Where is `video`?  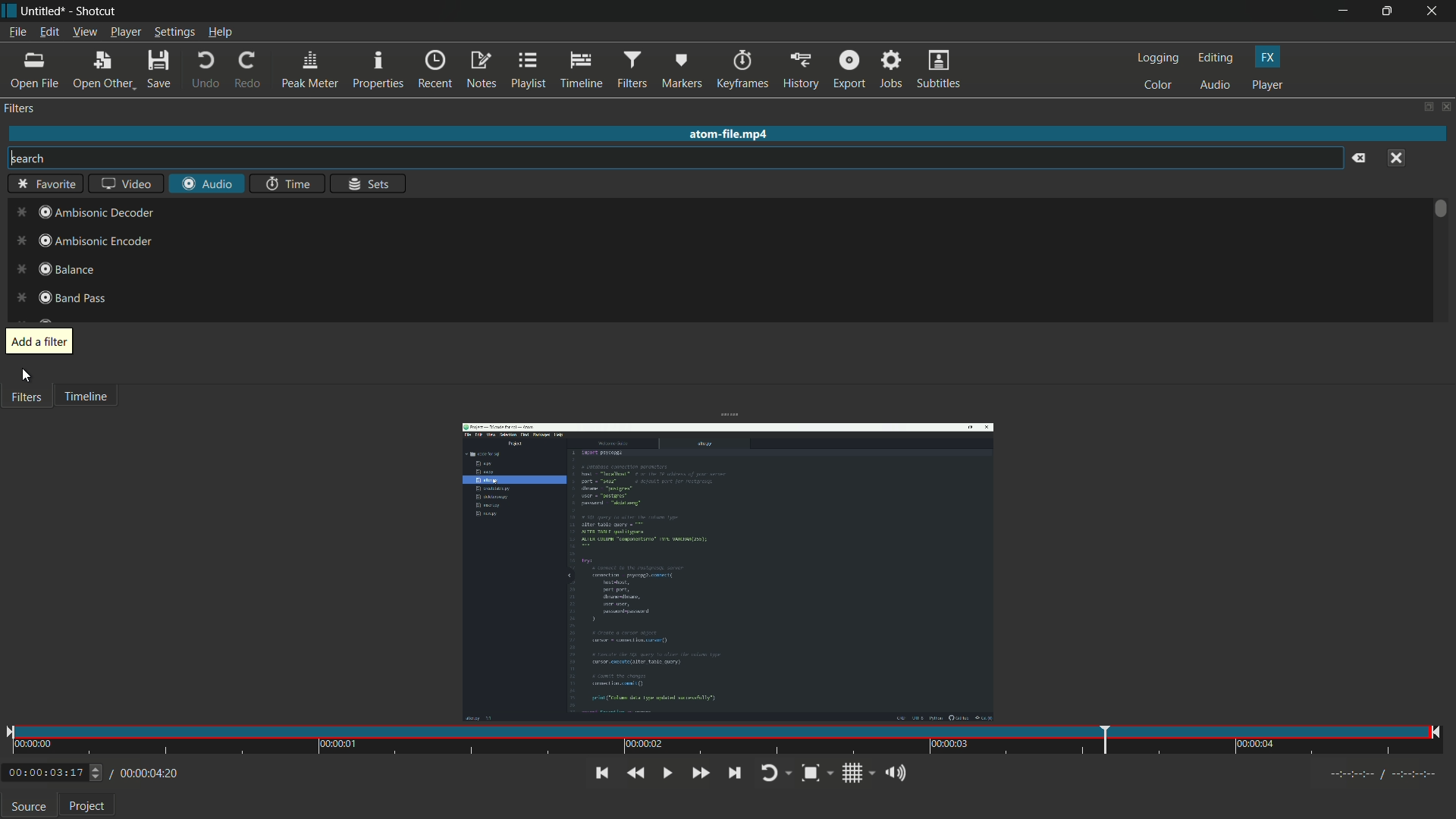 video is located at coordinates (127, 184).